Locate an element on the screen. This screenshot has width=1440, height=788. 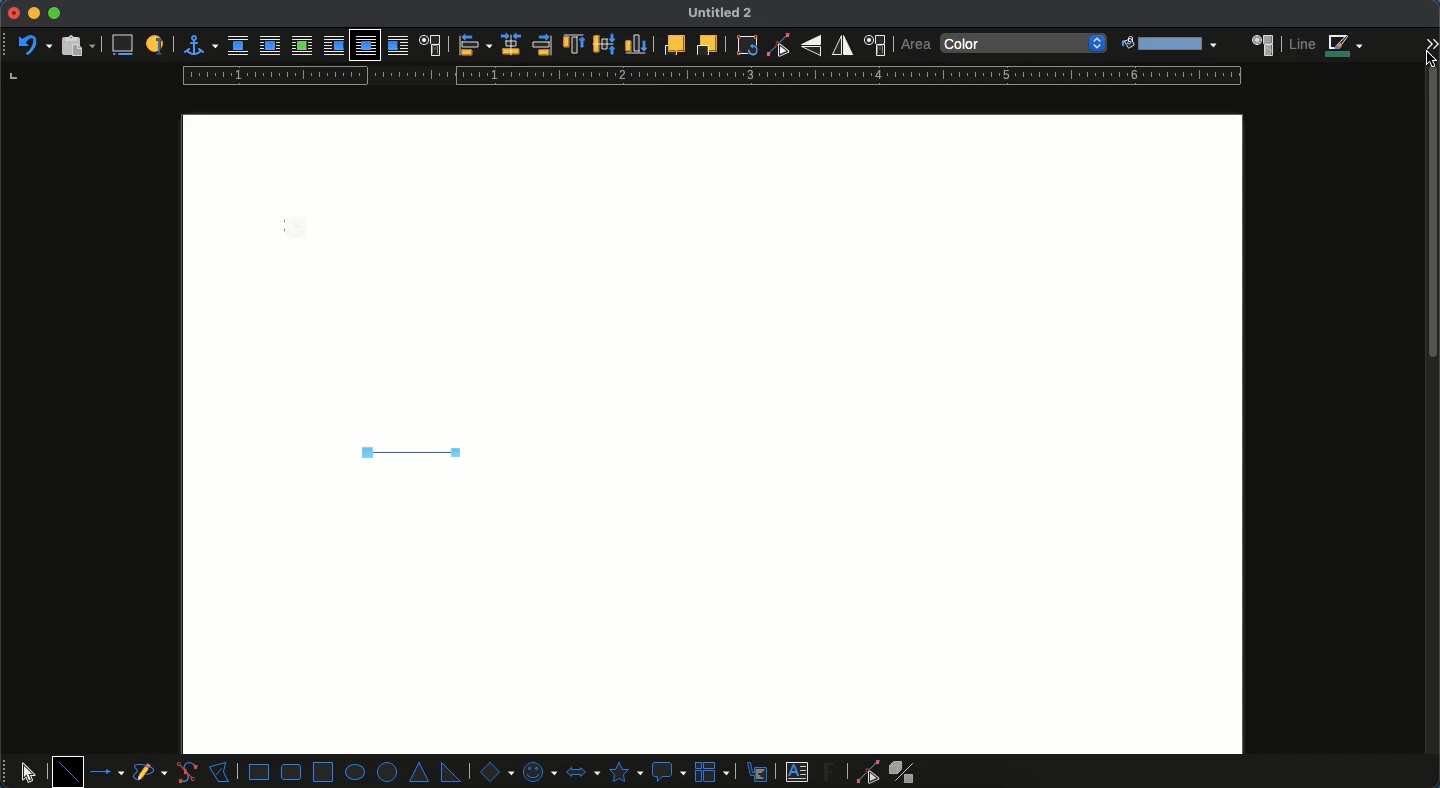
isosceles triangle is located at coordinates (421, 773).